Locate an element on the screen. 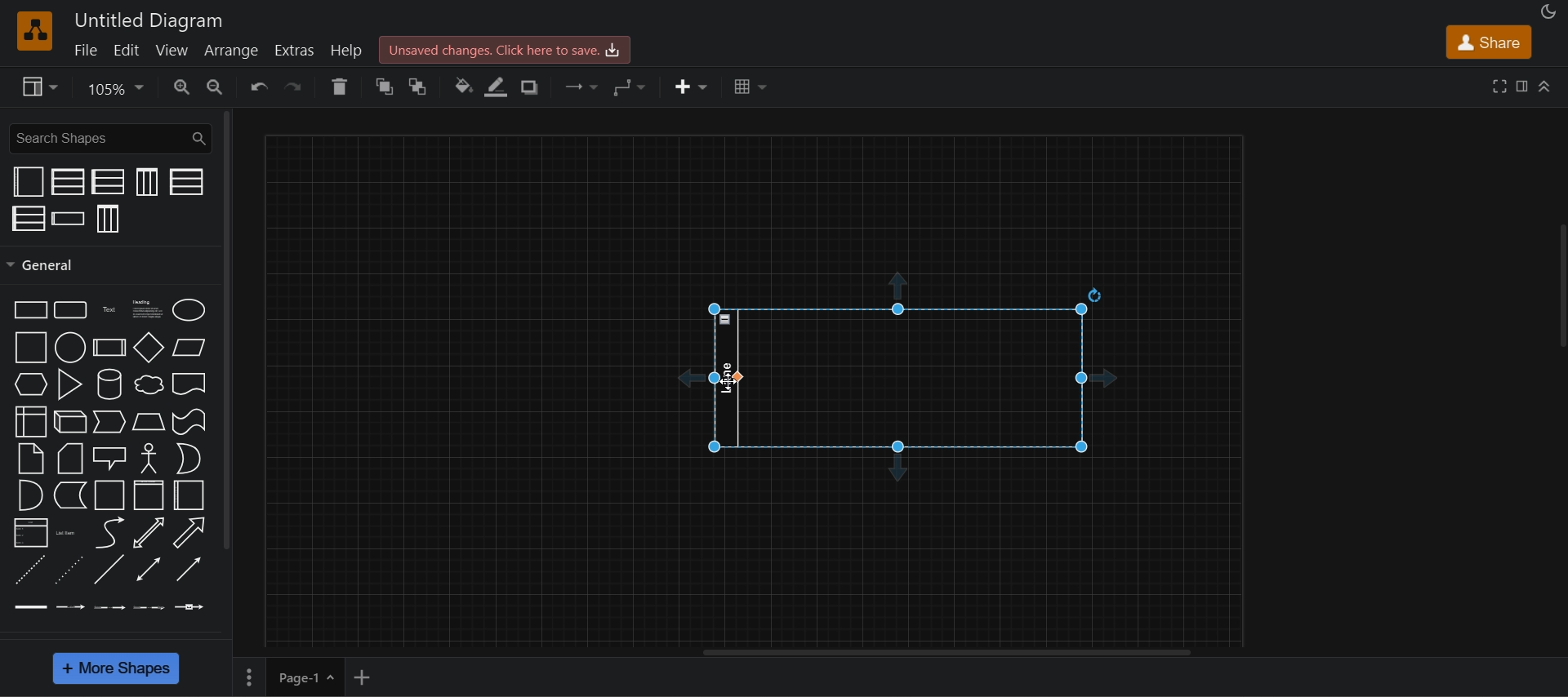 This screenshot has width=1568, height=697. tape is located at coordinates (188, 422).